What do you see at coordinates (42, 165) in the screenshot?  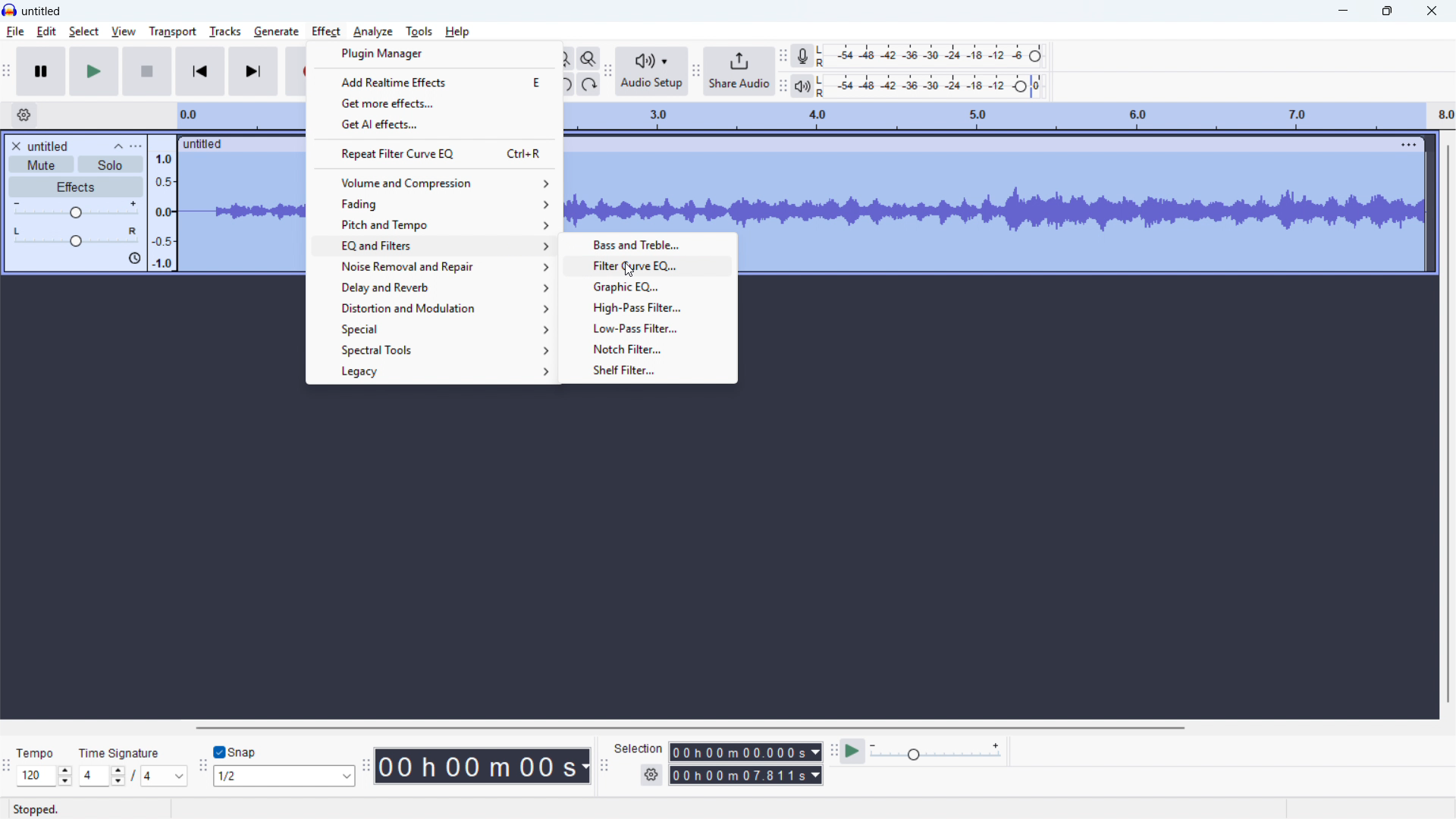 I see `mute` at bounding box center [42, 165].